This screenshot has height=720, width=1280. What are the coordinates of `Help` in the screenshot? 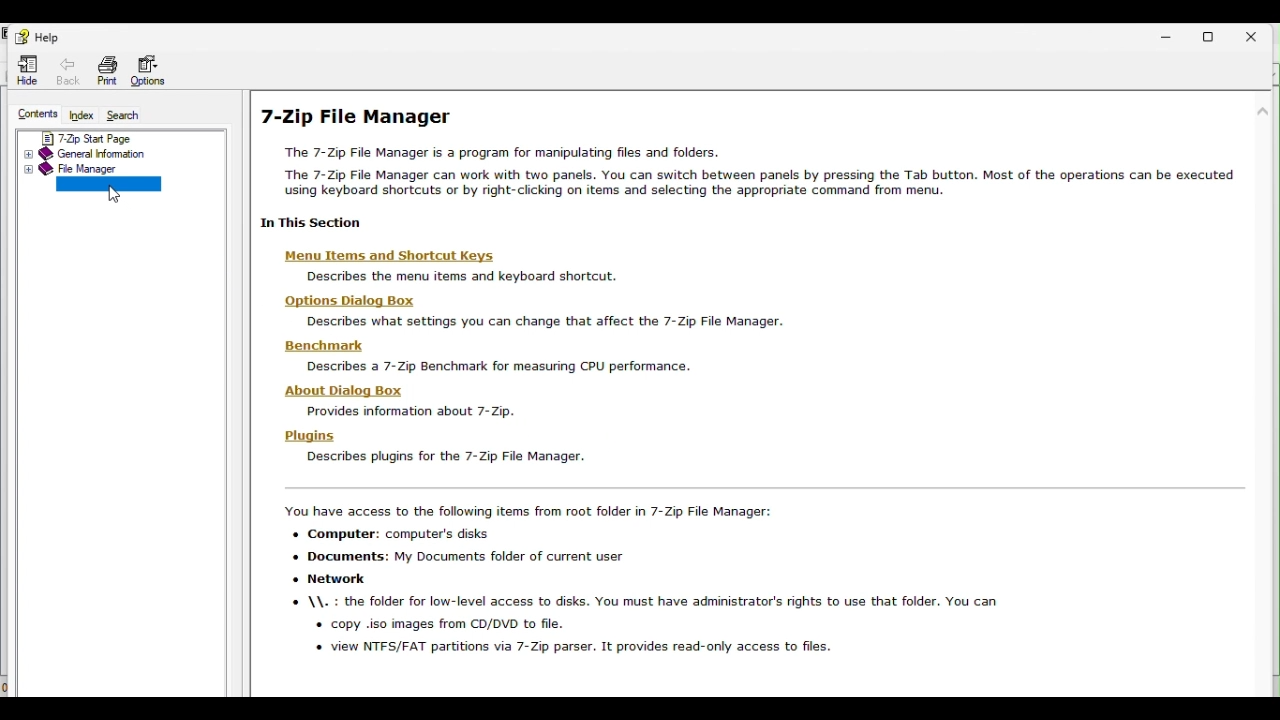 It's located at (39, 35).